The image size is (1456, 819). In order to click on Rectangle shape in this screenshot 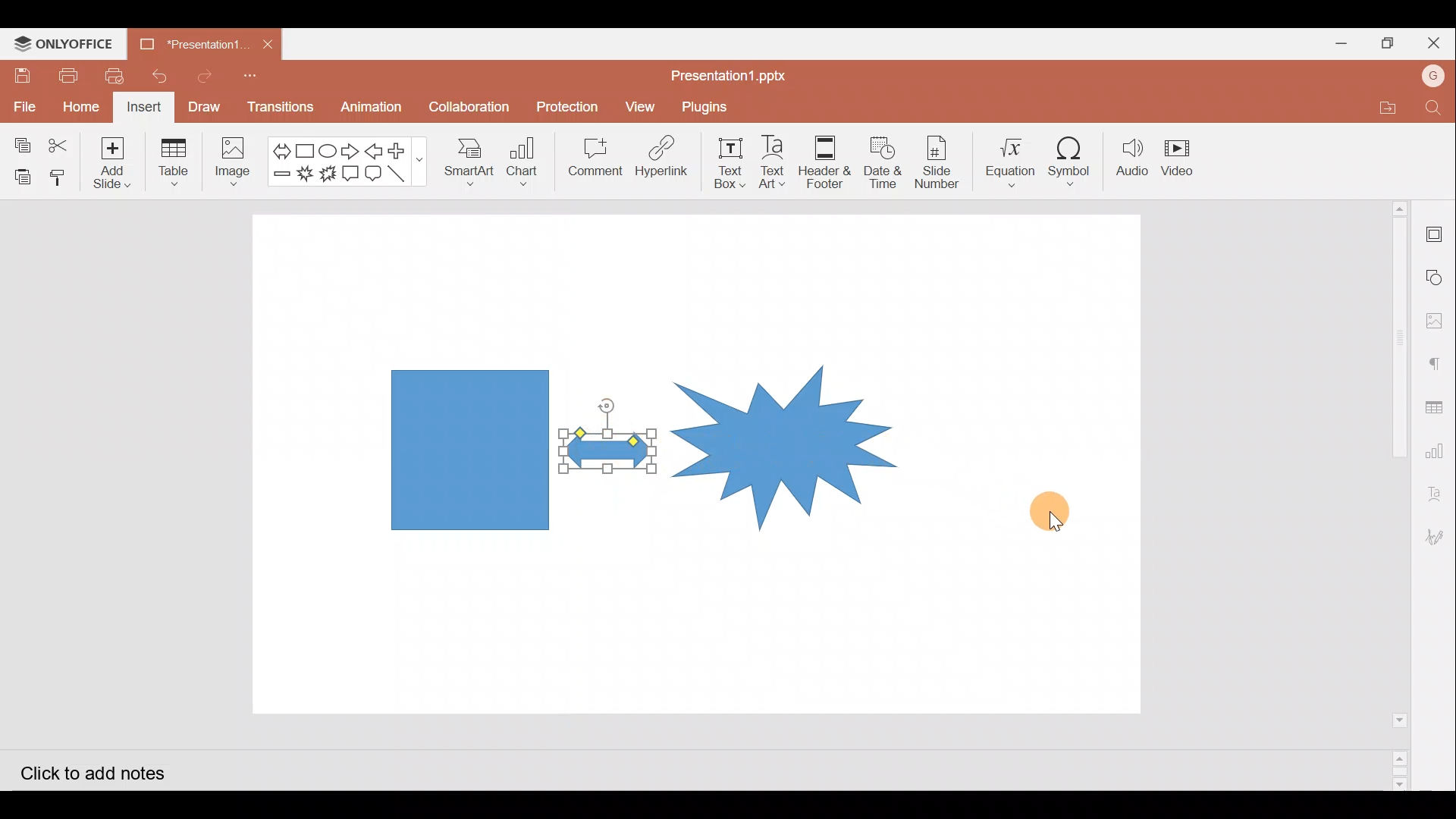, I will do `click(468, 447)`.